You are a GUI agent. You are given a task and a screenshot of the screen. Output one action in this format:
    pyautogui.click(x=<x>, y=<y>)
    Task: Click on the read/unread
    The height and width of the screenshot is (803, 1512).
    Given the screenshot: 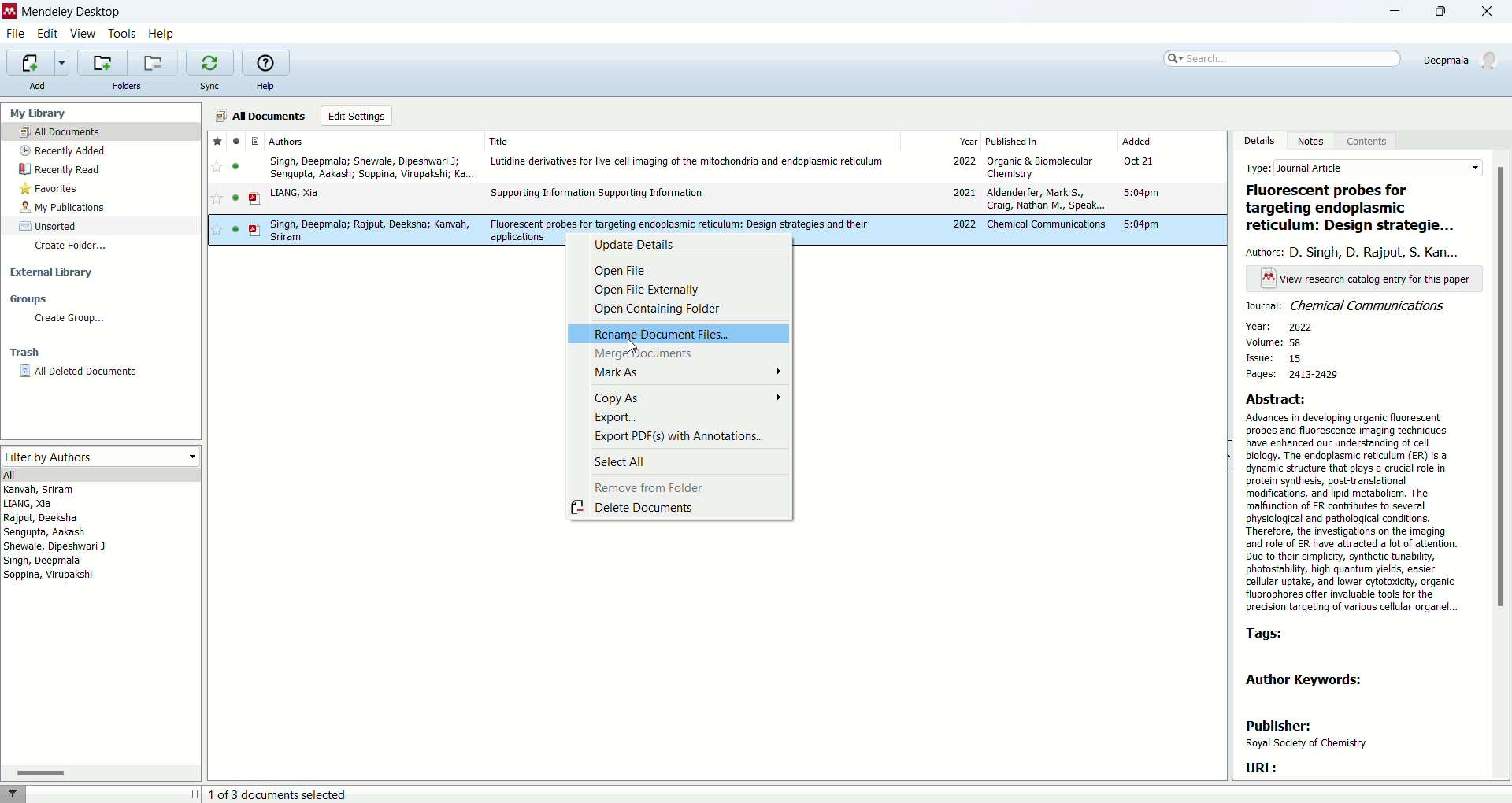 What is the action you would take?
    pyautogui.click(x=235, y=166)
    